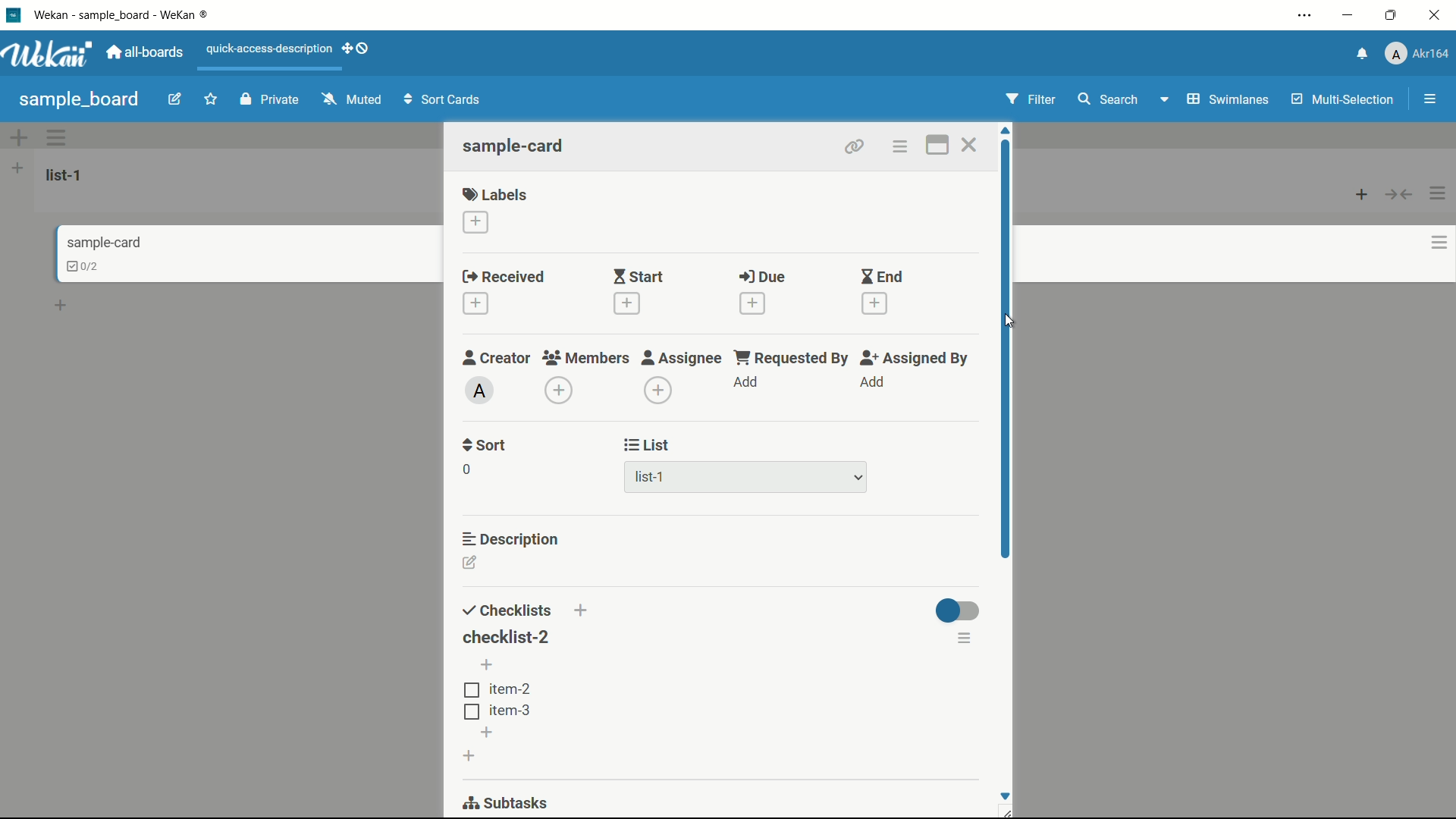 The height and width of the screenshot is (819, 1456). What do you see at coordinates (1227, 99) in the screenshot?
I see `swimlanes` at bounding box center [1227, 99].